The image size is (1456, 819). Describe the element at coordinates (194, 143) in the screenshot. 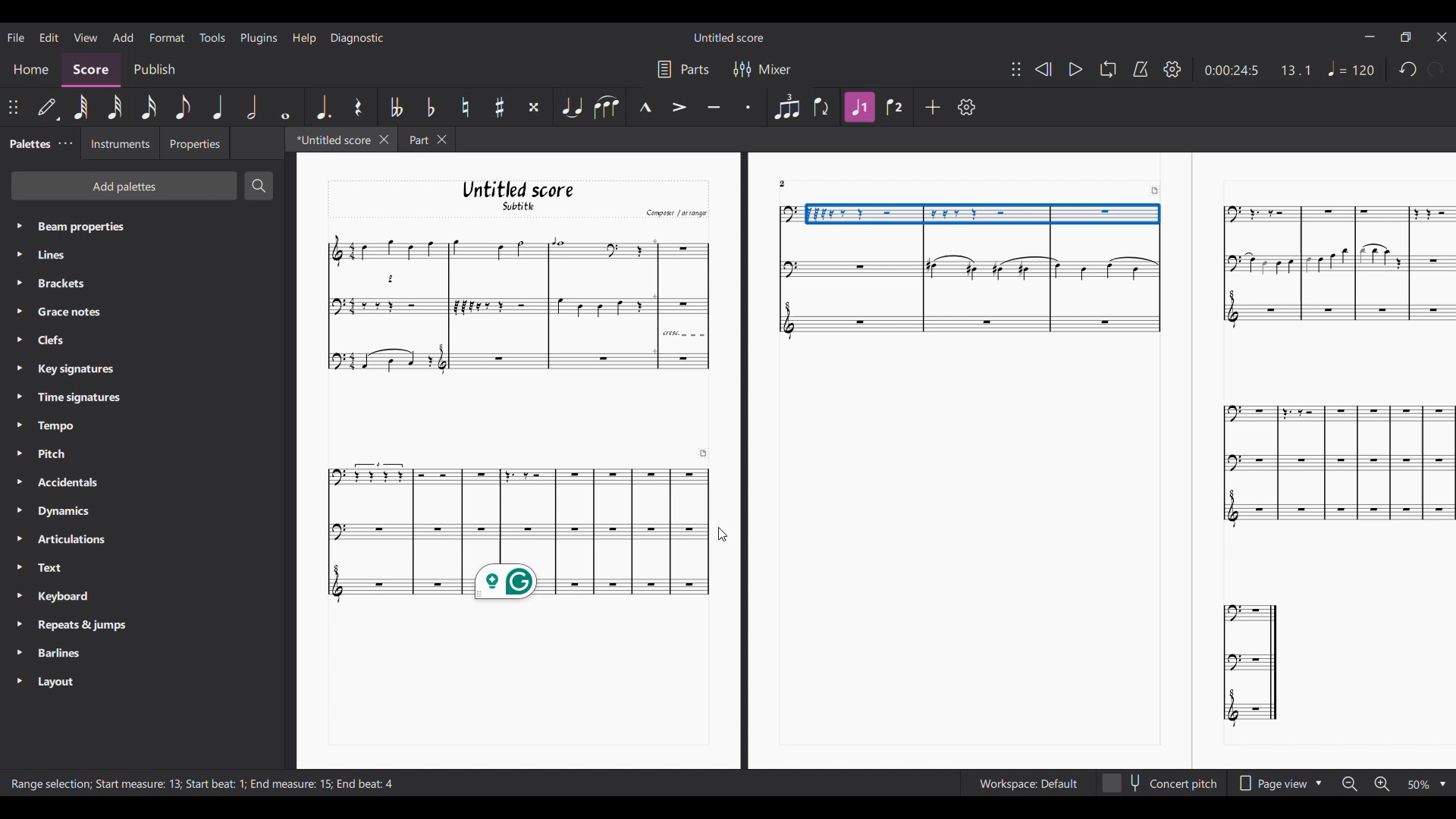

I see `Properties ` at that location.